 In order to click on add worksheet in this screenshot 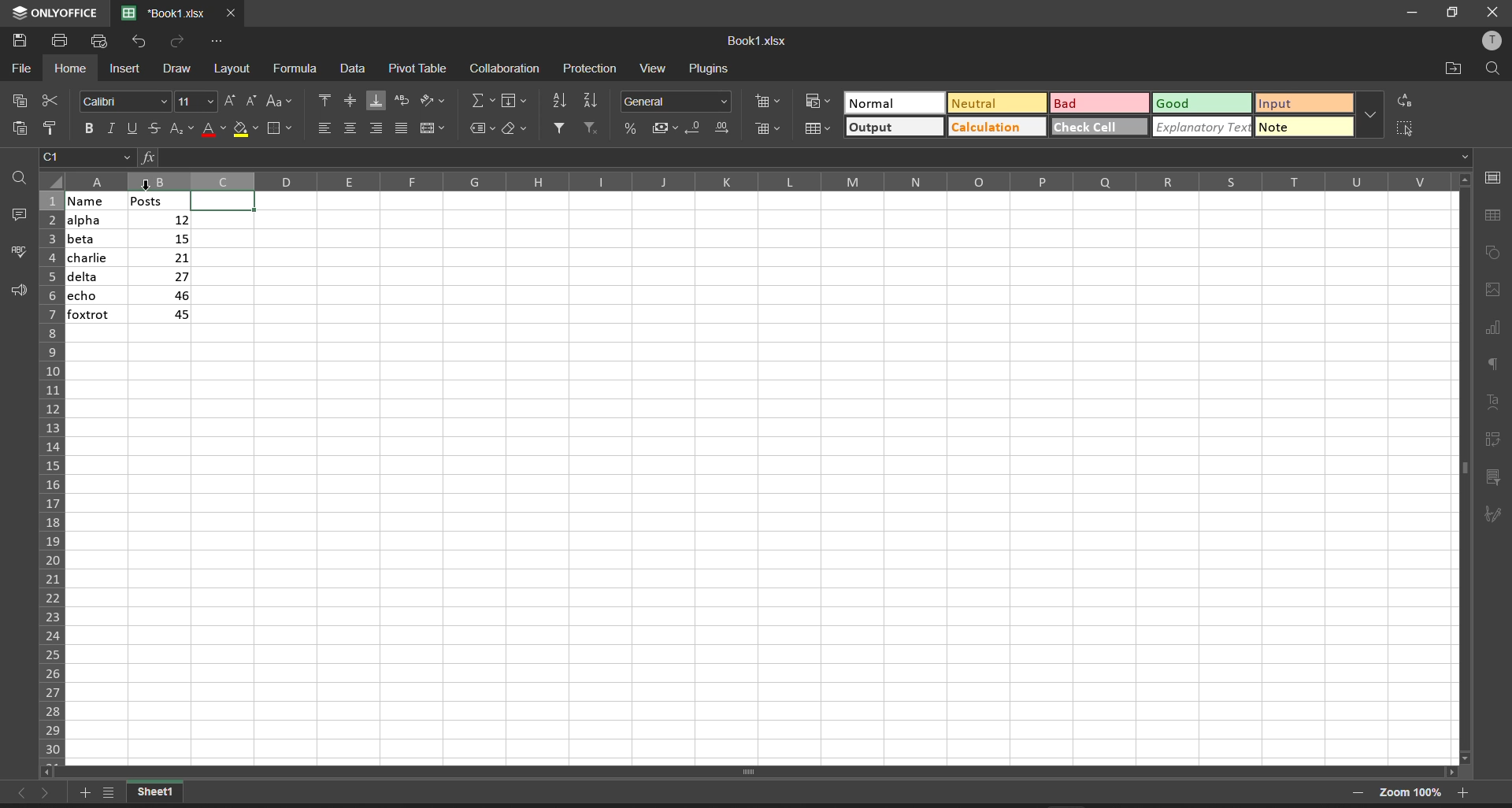, I will do `click(84, 791)`.